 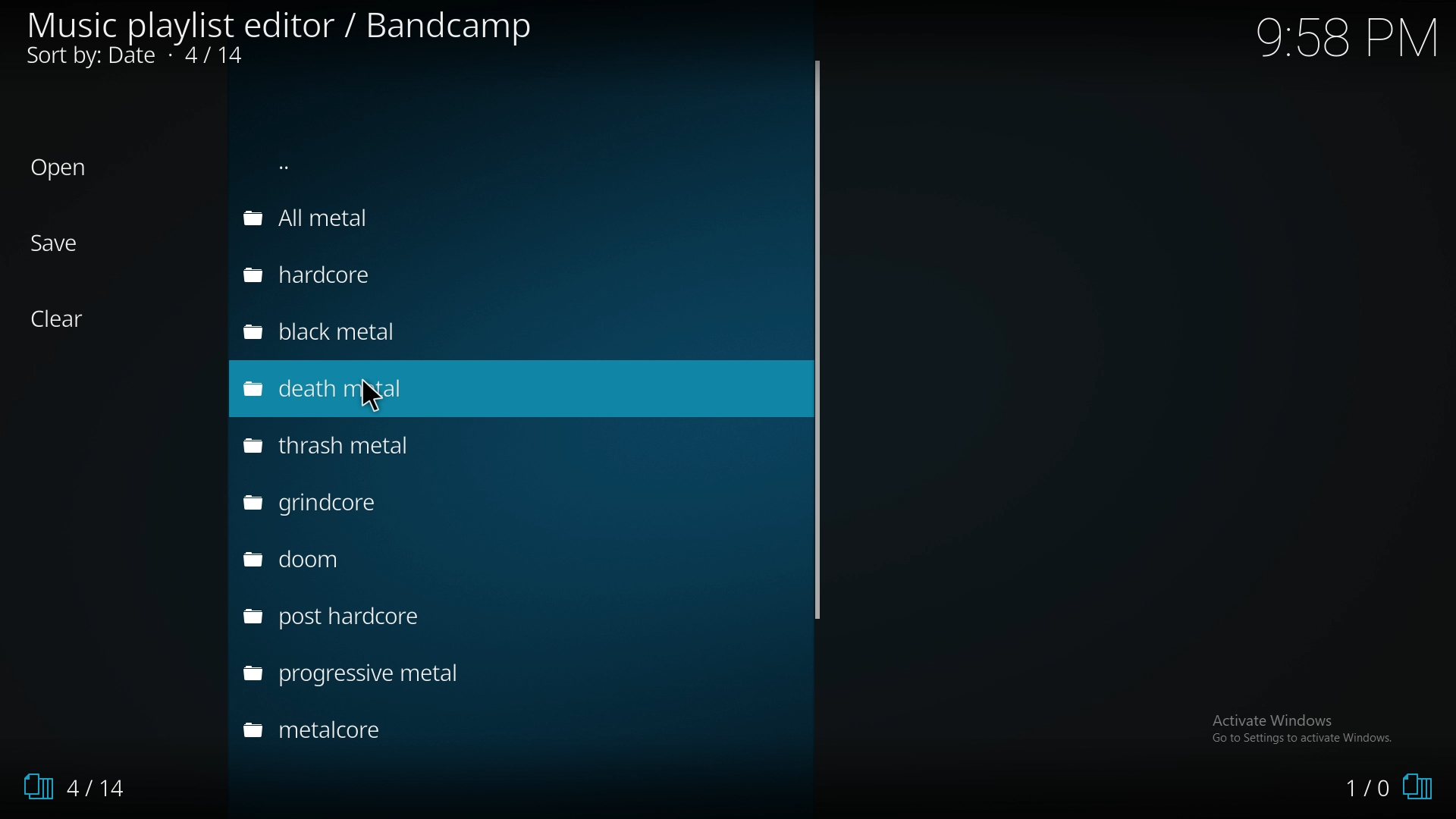 I want to click on music genre, so click(x=402, y=325).